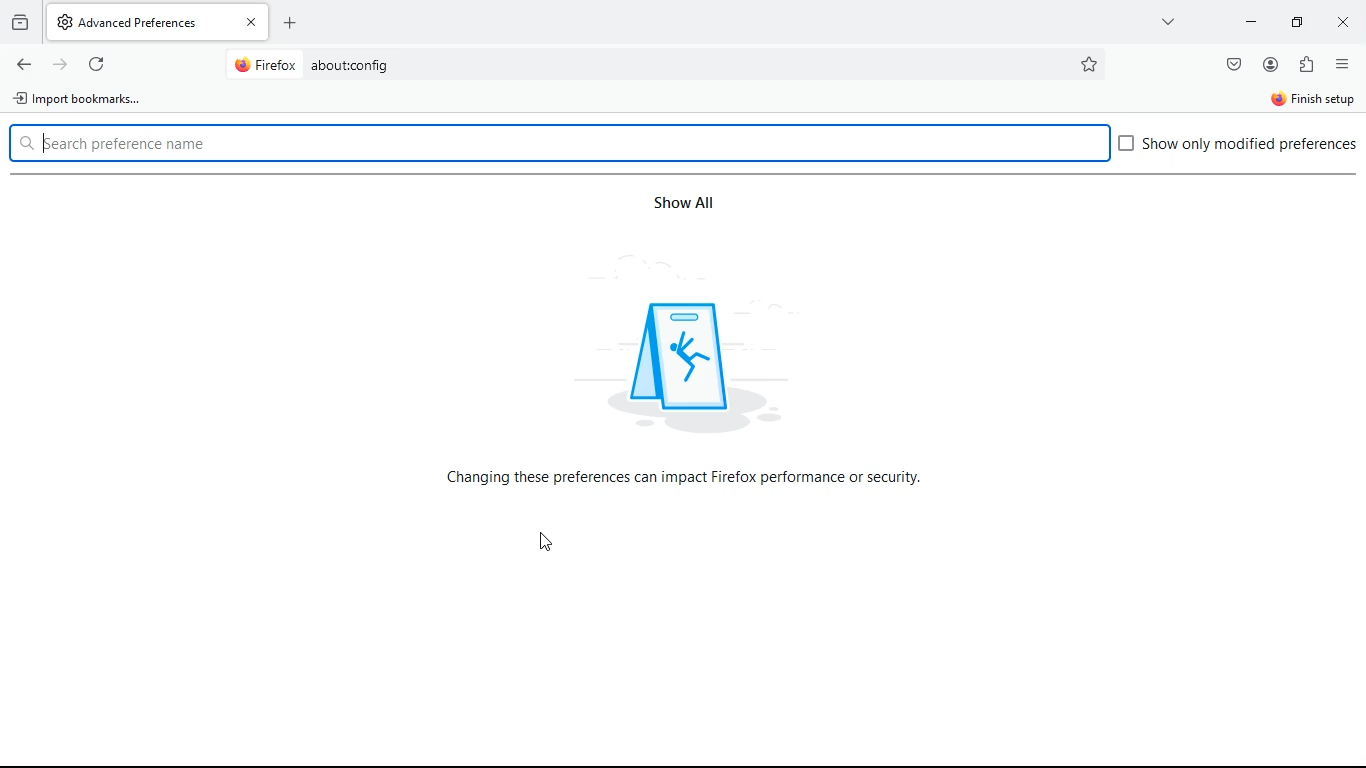 Image resolution: width=1366 pixels, height=768 pixels. What do you see at coordinates (99, 66) in the screenshot?
I see `refresh` at bounding box center [99, 66].